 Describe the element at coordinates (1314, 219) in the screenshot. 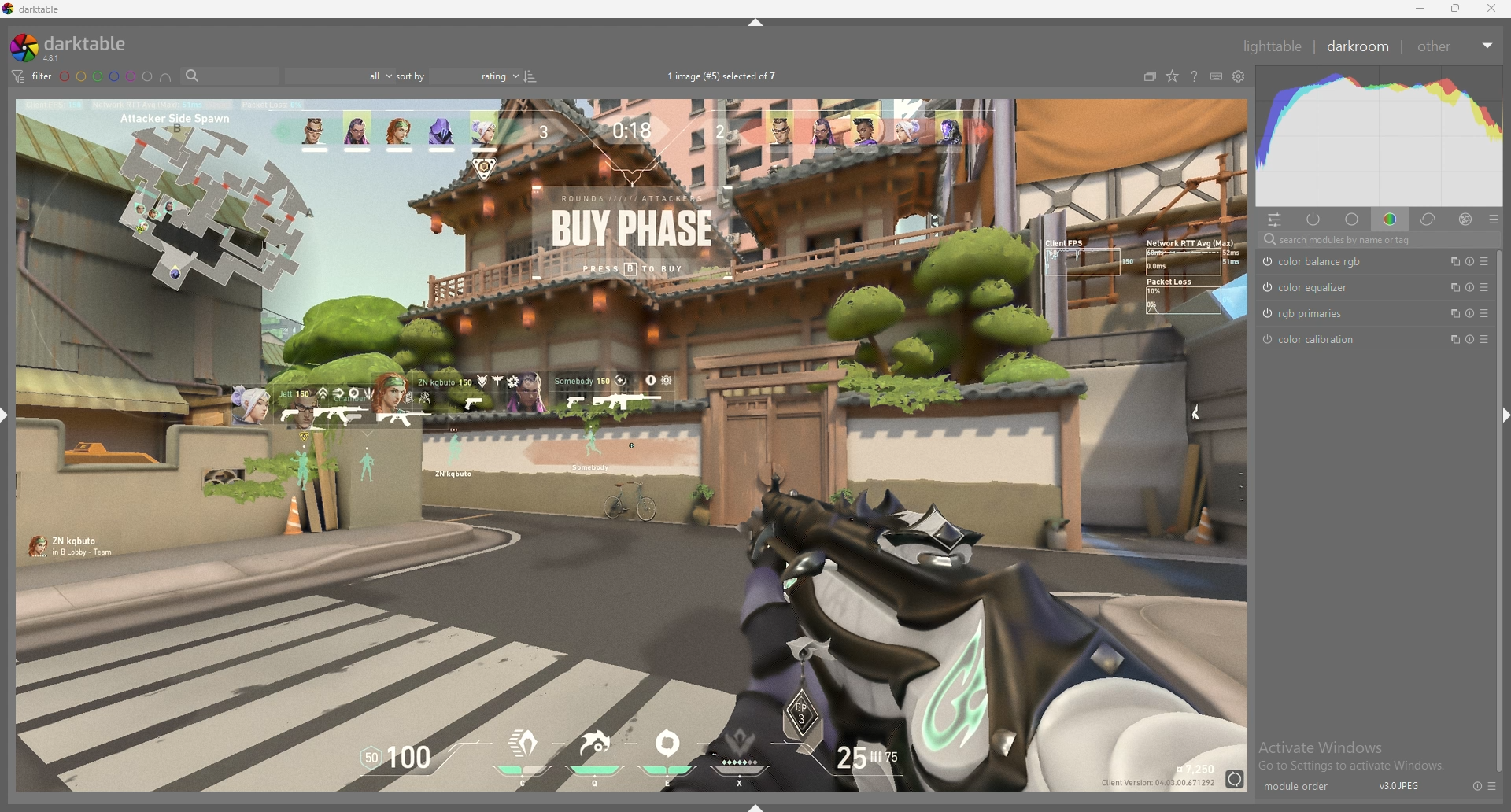

I see `active module` at that location.